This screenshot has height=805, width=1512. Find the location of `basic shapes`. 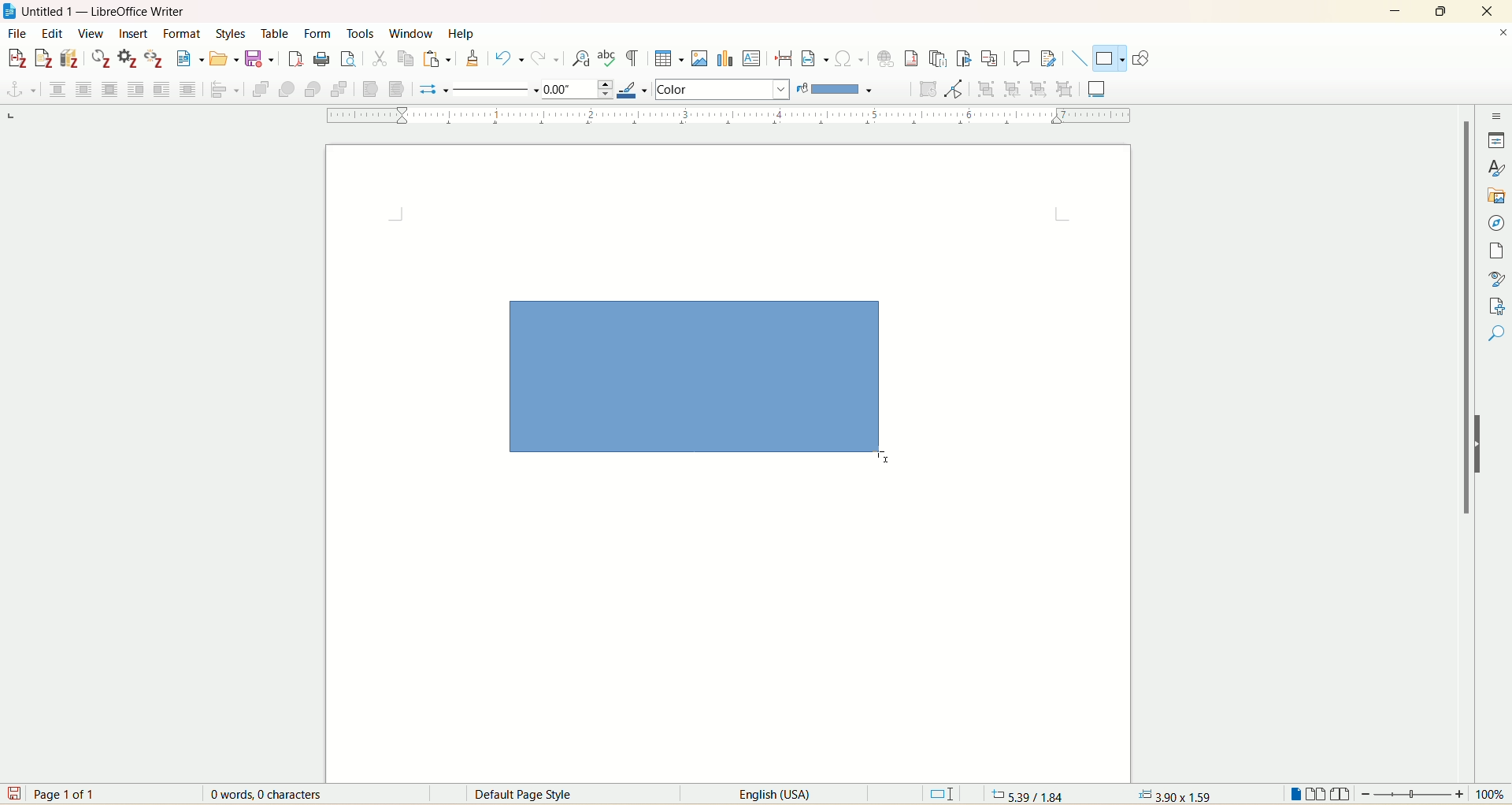

basic shapes is located at coordinates (1107, 59).